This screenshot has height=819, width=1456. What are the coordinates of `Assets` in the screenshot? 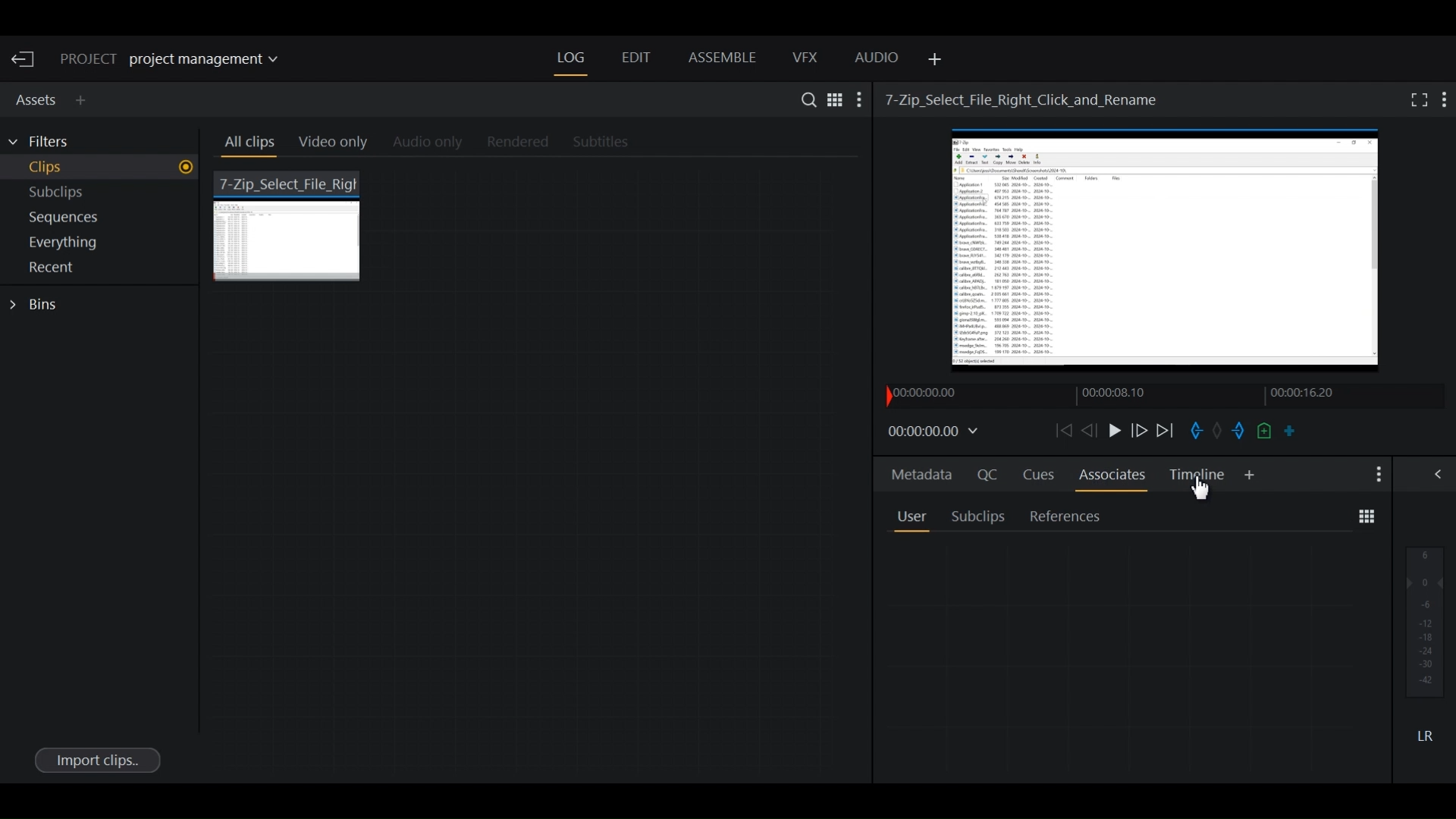 It's located at (33, 98).